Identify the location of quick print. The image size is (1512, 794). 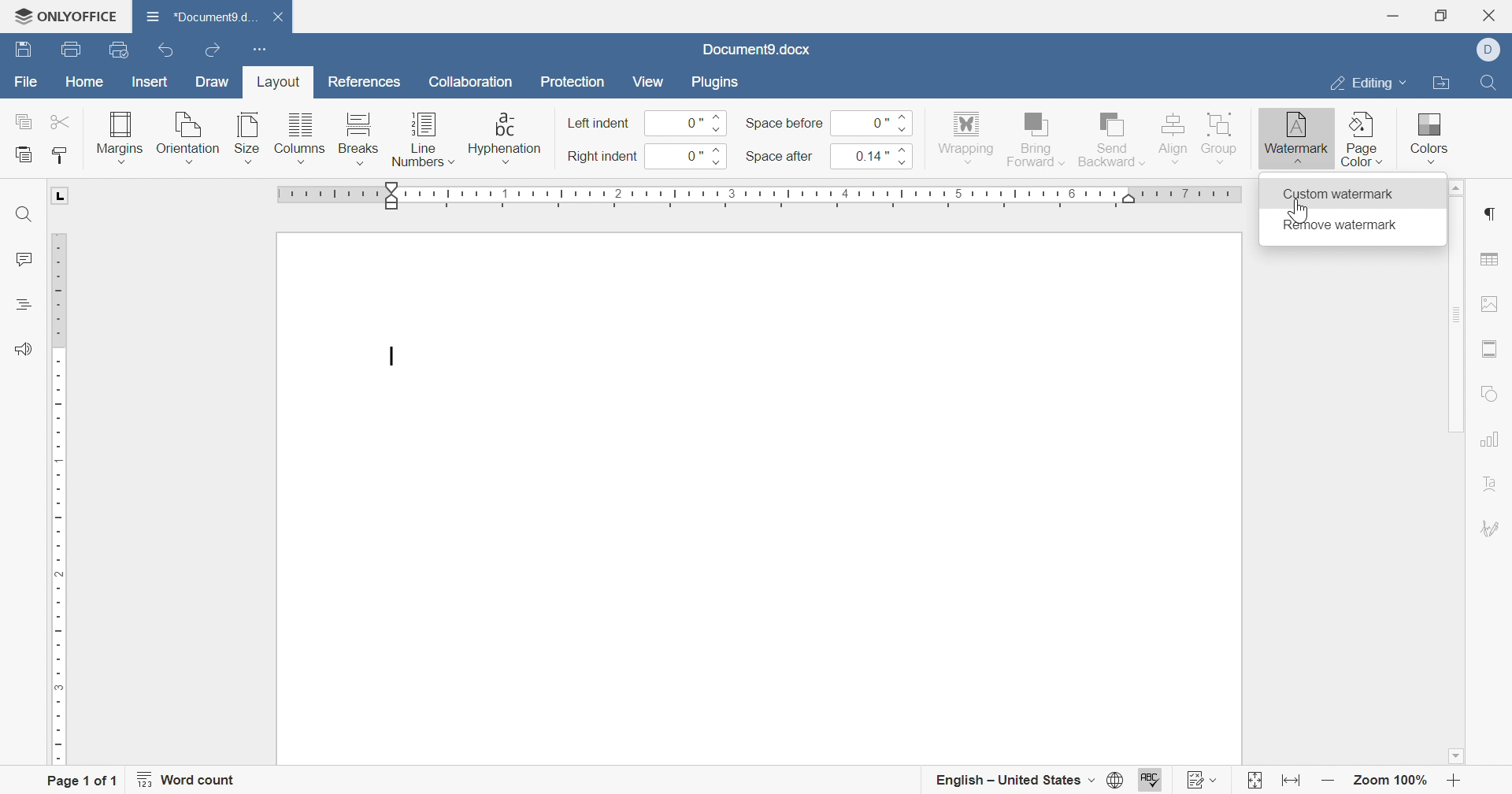
(126, 51).